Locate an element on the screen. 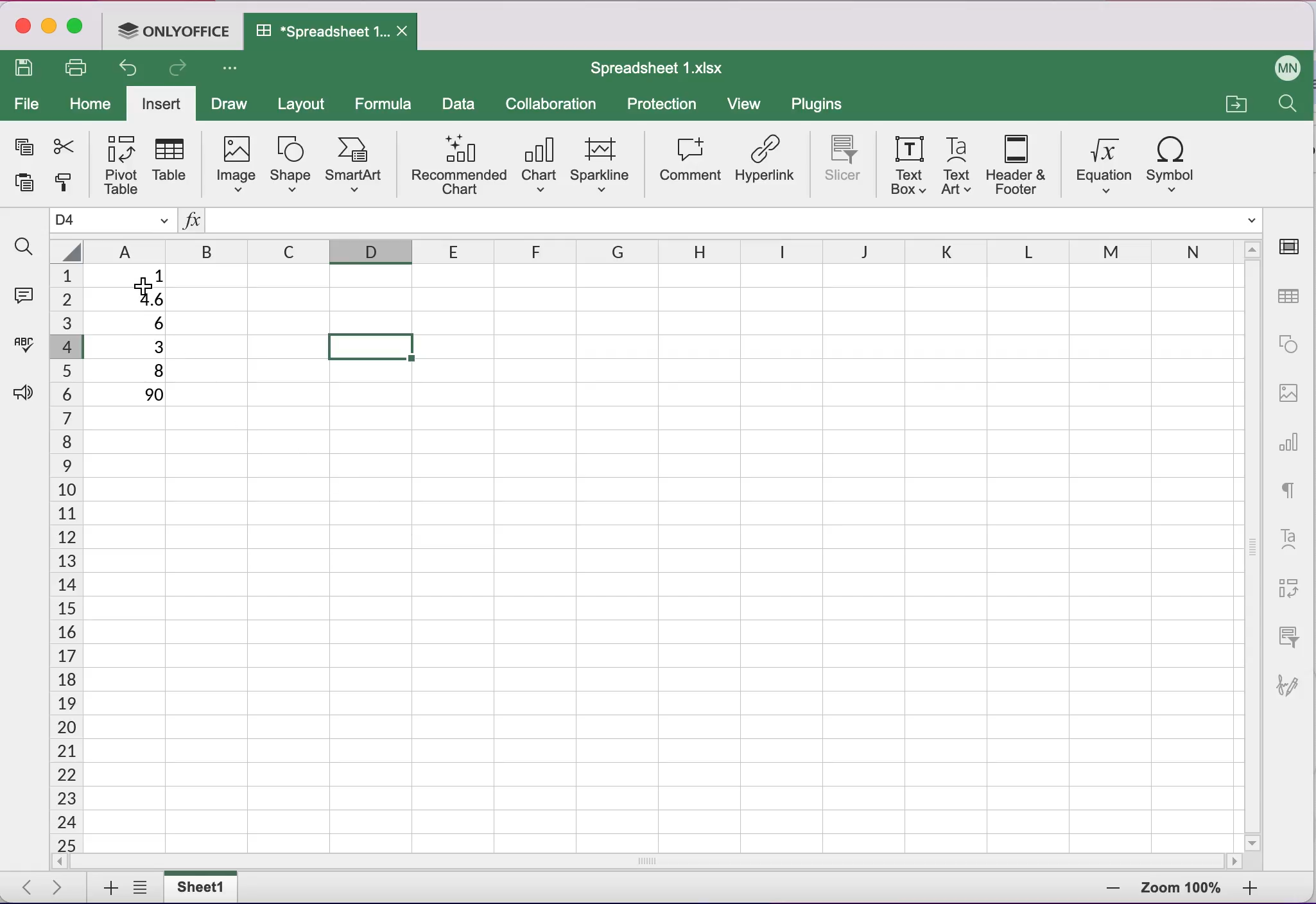 Image resolution: width=1316 pixels, height=904 pixels. header and footer is located at coordinates (1016, 165).